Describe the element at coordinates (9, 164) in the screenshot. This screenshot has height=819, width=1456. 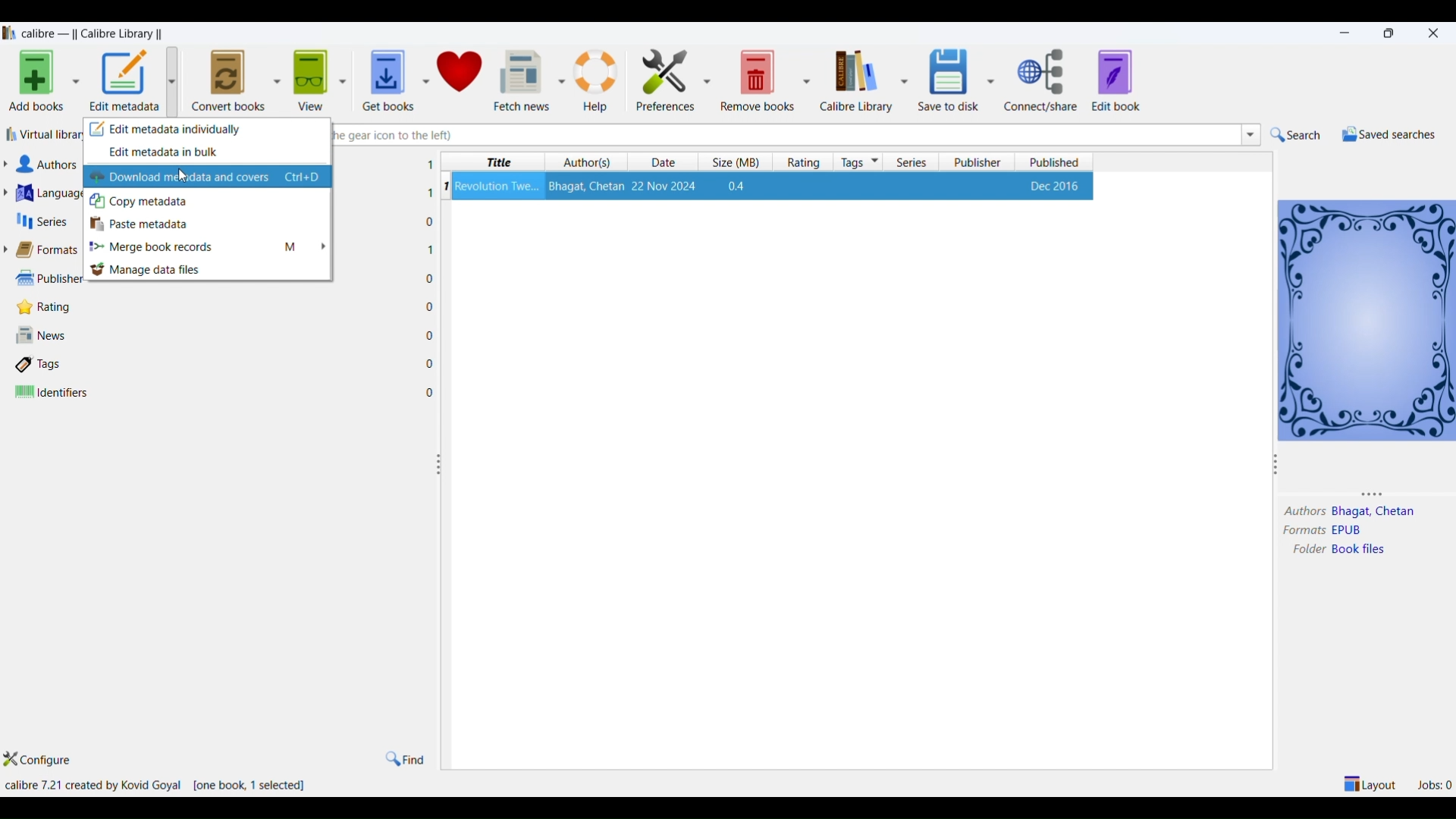
I see `view all authors dropdown button` at that location.